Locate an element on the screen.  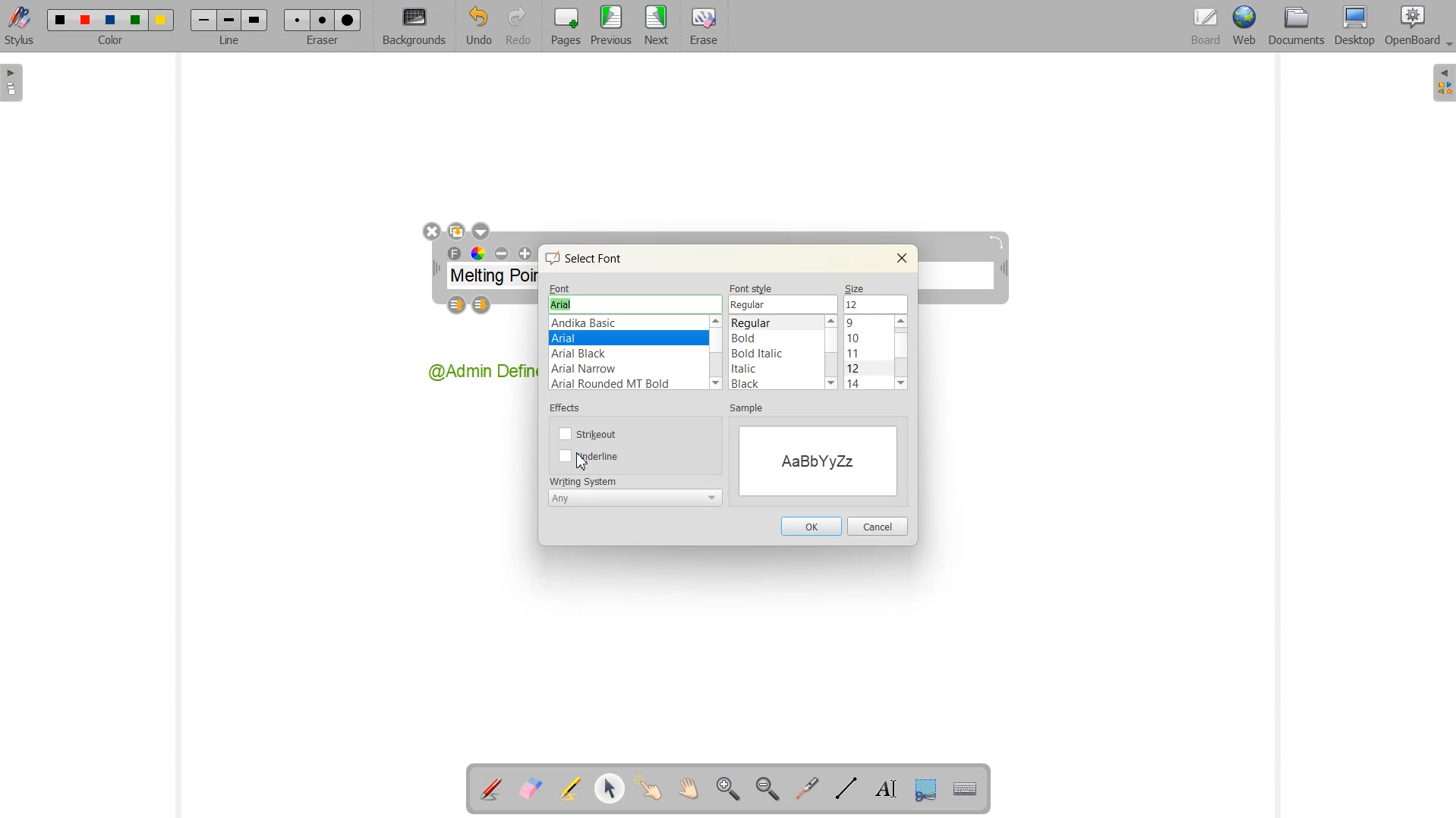
Display virtual Keyboard is located at coordinates (963, 787).